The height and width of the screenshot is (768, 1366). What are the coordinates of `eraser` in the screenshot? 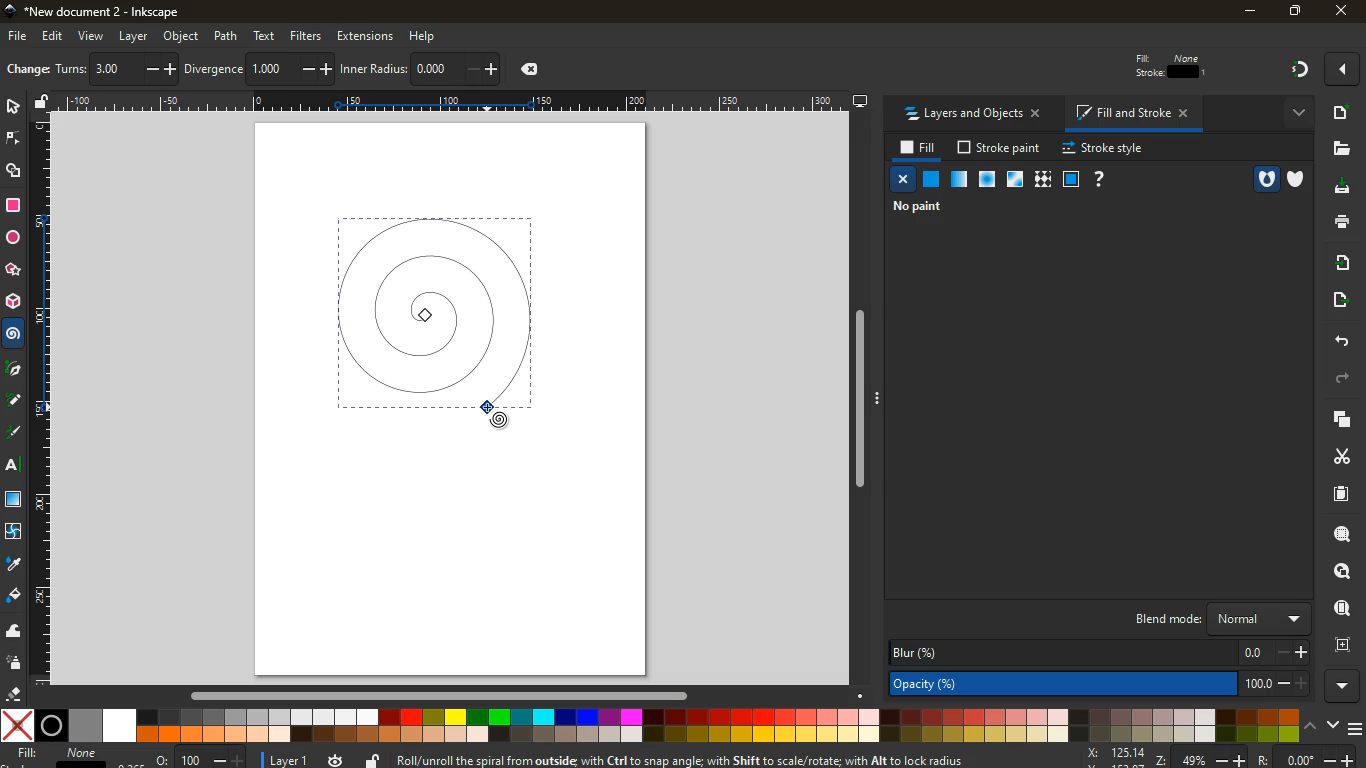 It's located at (13, 695).